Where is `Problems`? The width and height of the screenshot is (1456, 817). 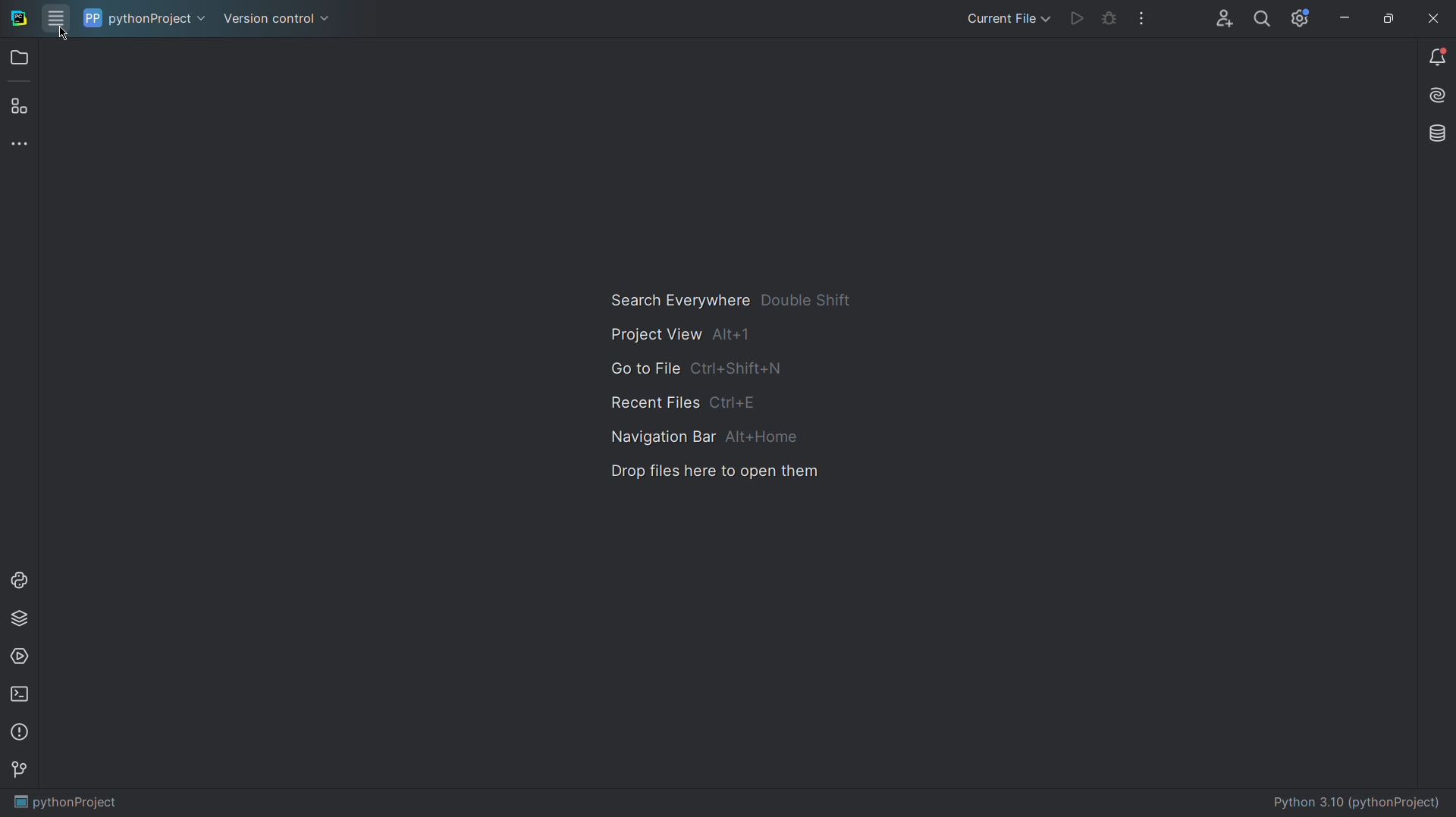 Problems is located at coordinates (21, 734).